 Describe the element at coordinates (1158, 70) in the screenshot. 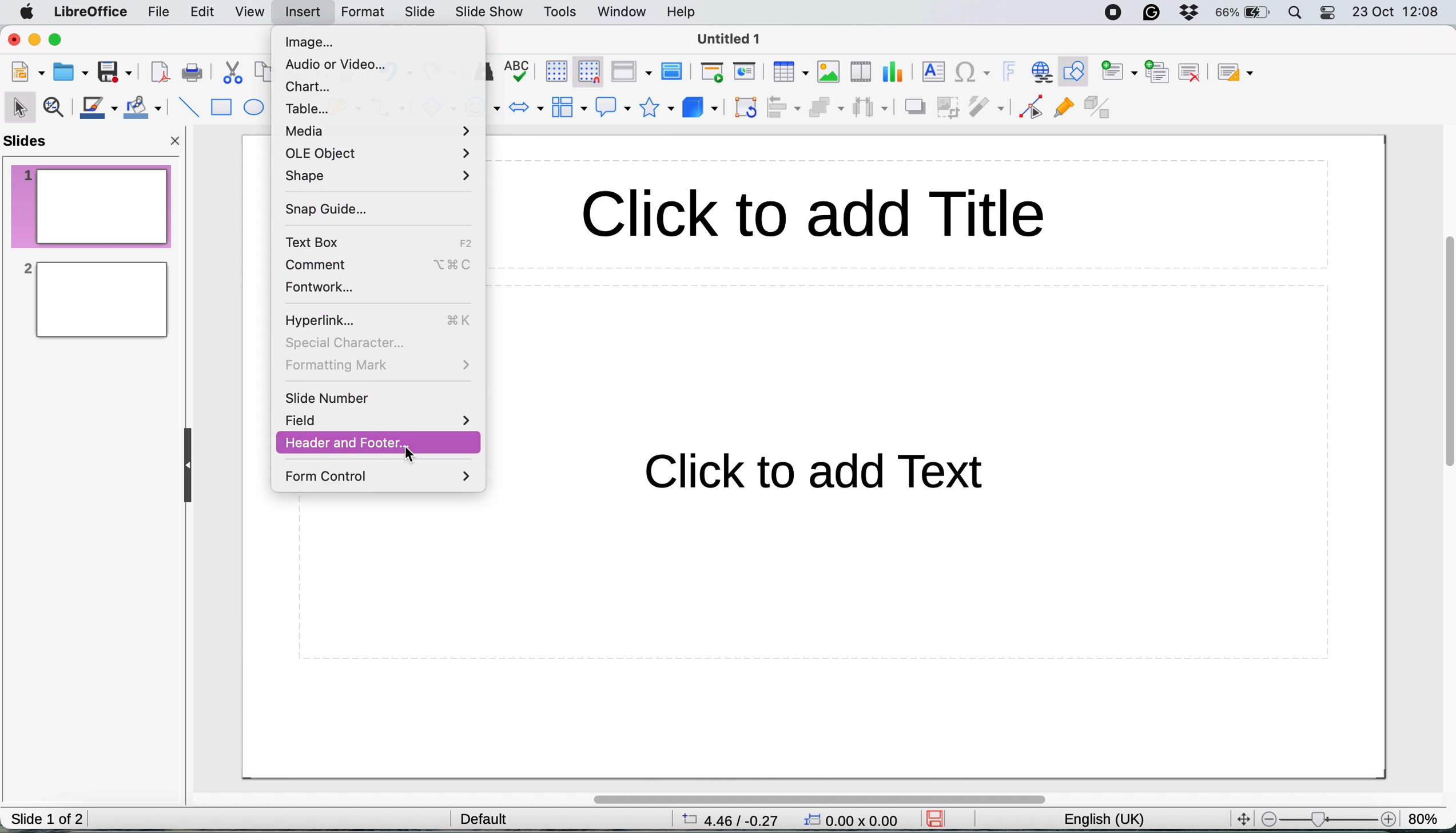

I see `duplicate slide` at that location.